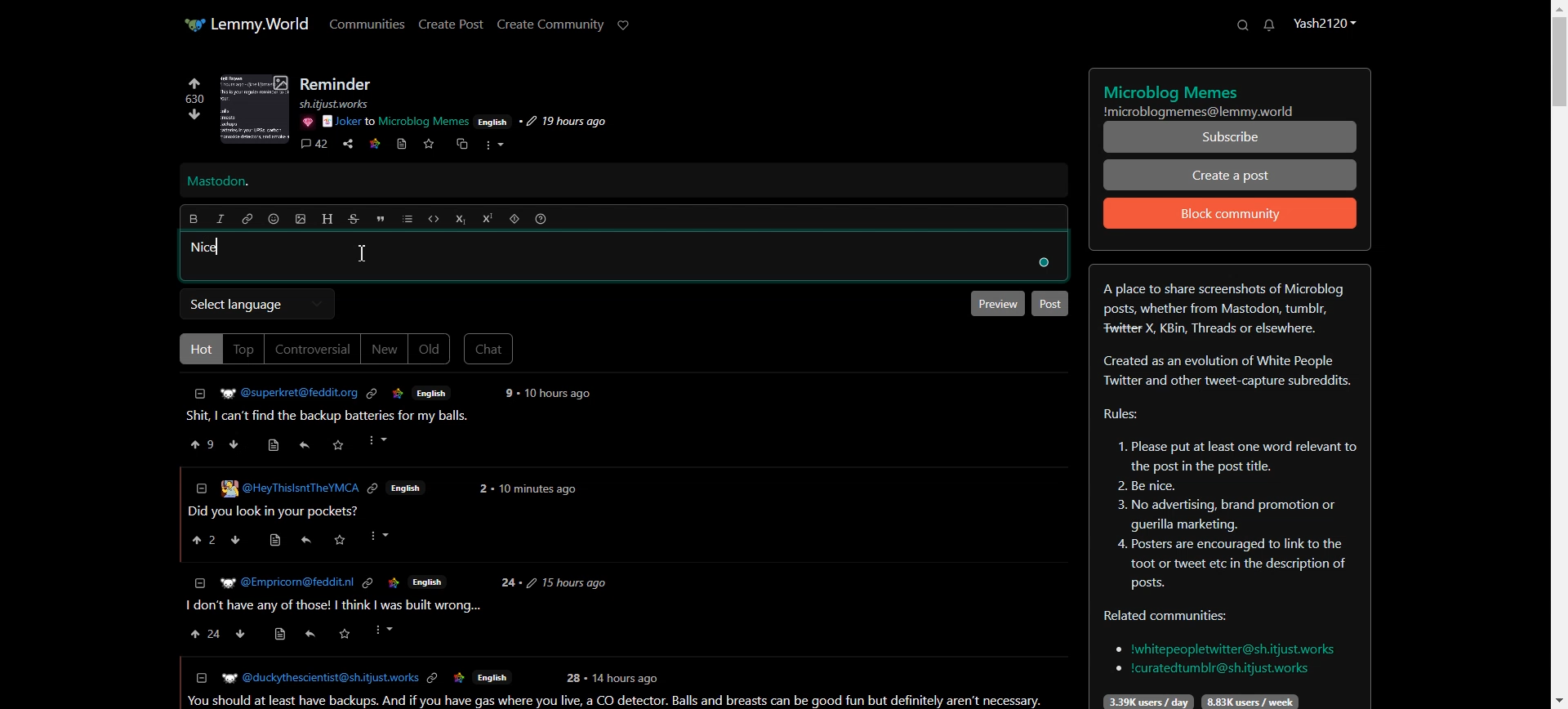  I want to click on More, so click(494, 145).